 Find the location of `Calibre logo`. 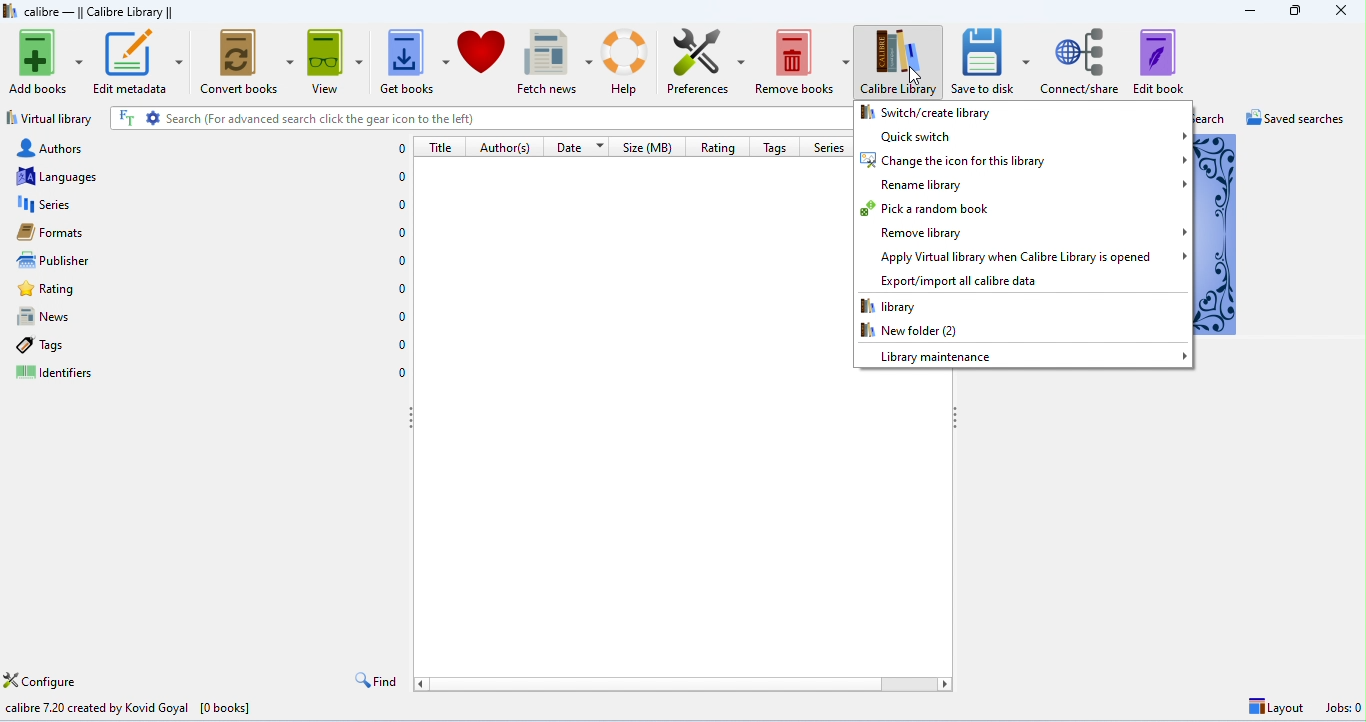

Calibre logo is located at coordinates (10, 12).